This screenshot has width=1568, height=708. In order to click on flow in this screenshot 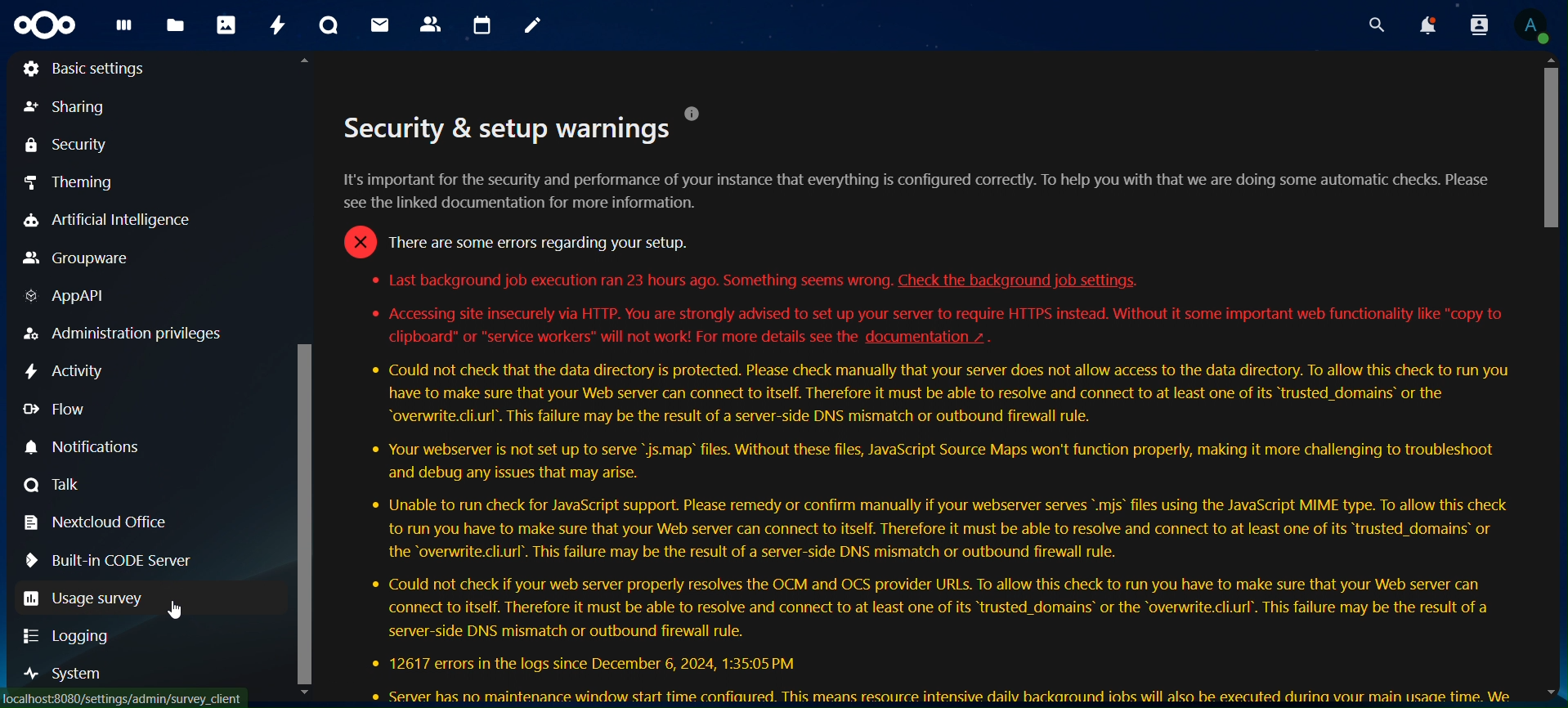, I will do `click(55, 408)`.